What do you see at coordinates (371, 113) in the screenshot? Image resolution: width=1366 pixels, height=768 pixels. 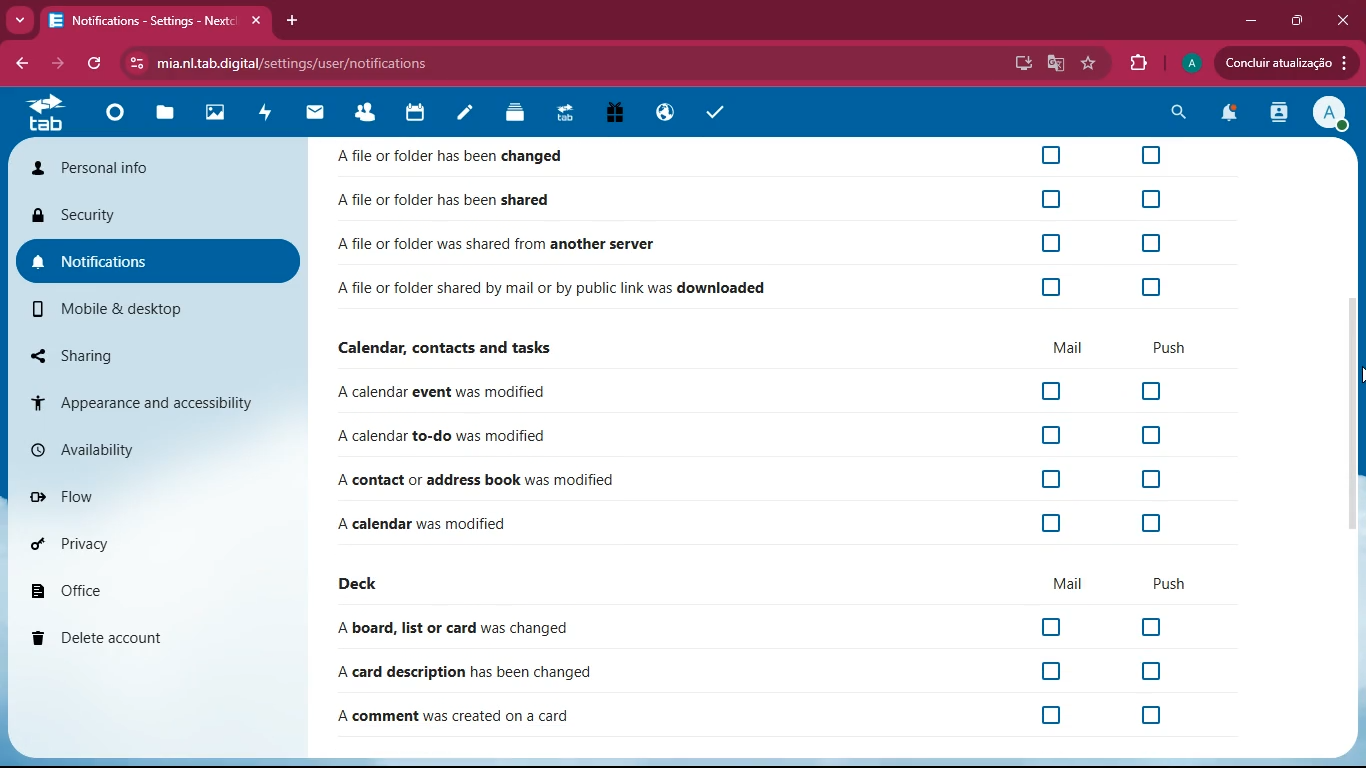 I see `friends` at bounding box center [371, 113].